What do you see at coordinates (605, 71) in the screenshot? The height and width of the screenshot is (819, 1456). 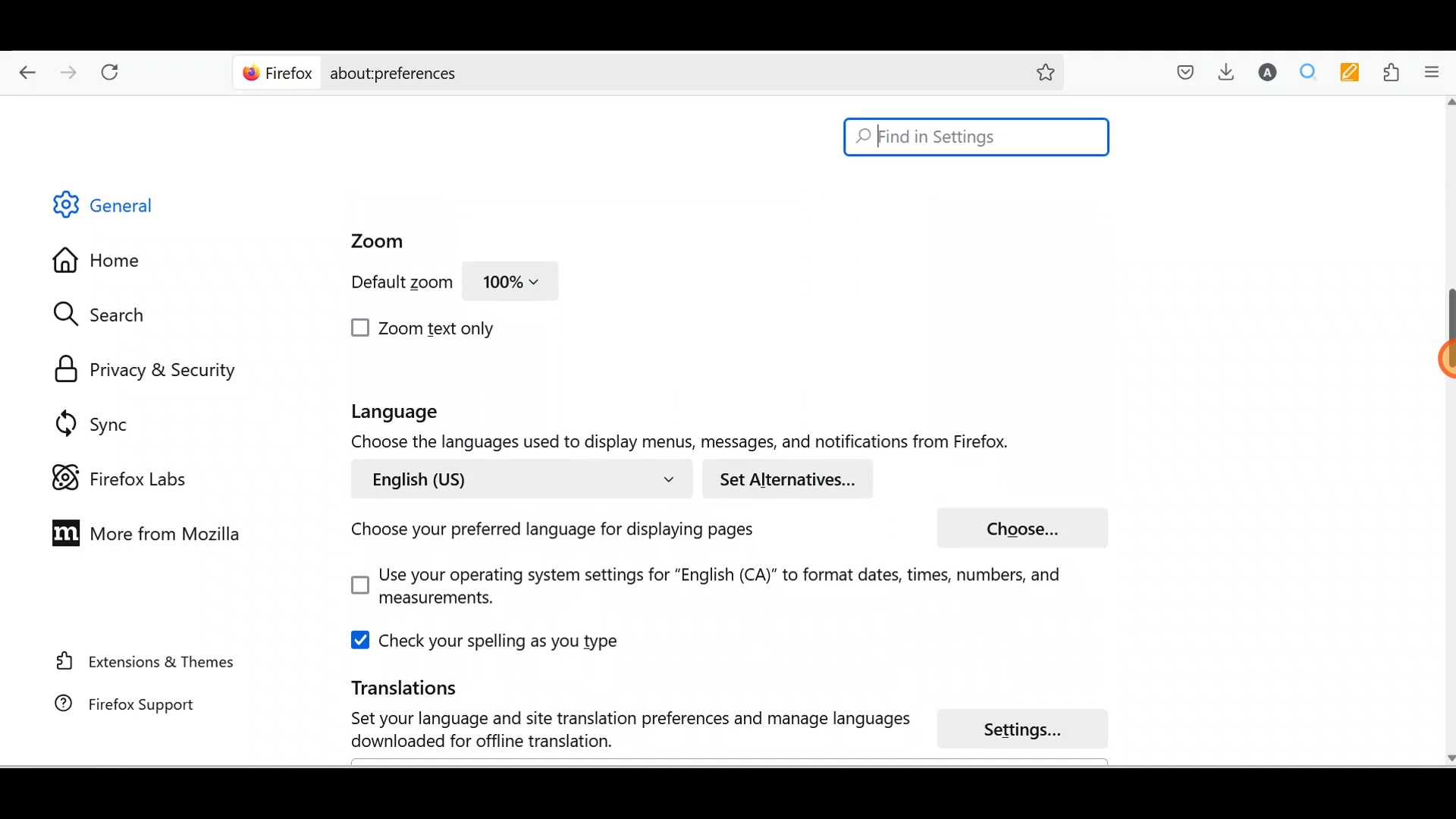 I see `about:preferences` at bounding box center [605, 71].